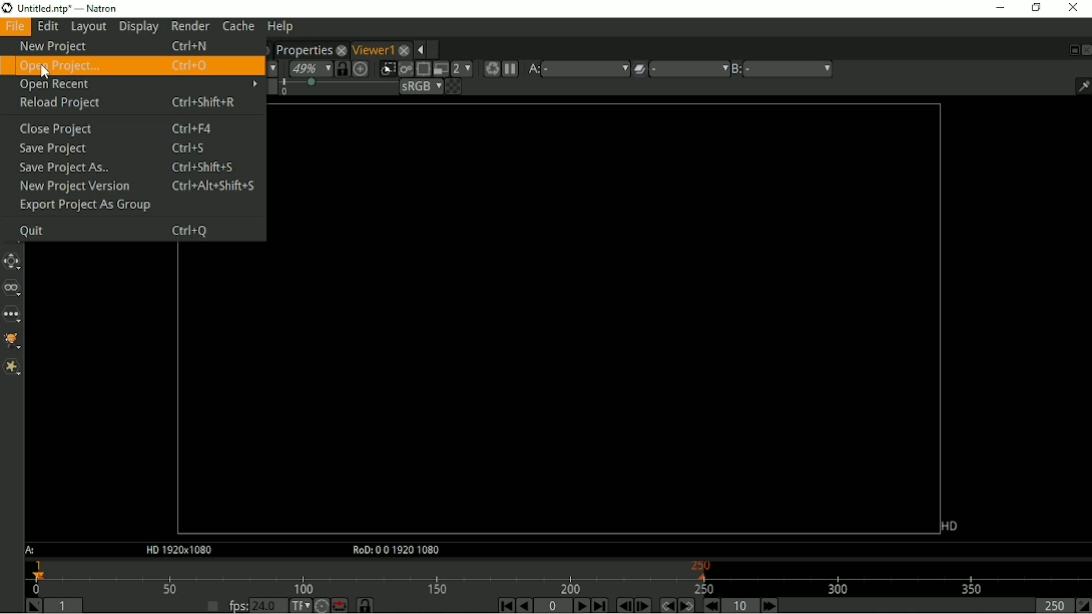 The height and width of the screenshot is (614, 1092). Describe the element at coordinates (558, 576) in the screenshot. I see `Timeline` at that location.